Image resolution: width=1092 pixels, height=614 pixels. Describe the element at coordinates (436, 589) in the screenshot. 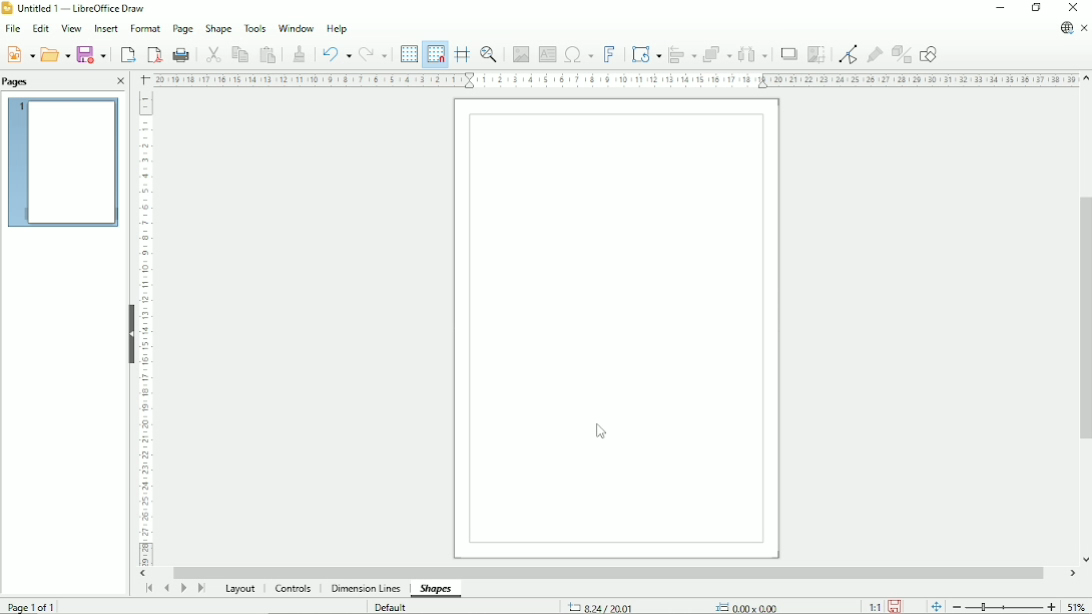

I see `Shapes` at that location.